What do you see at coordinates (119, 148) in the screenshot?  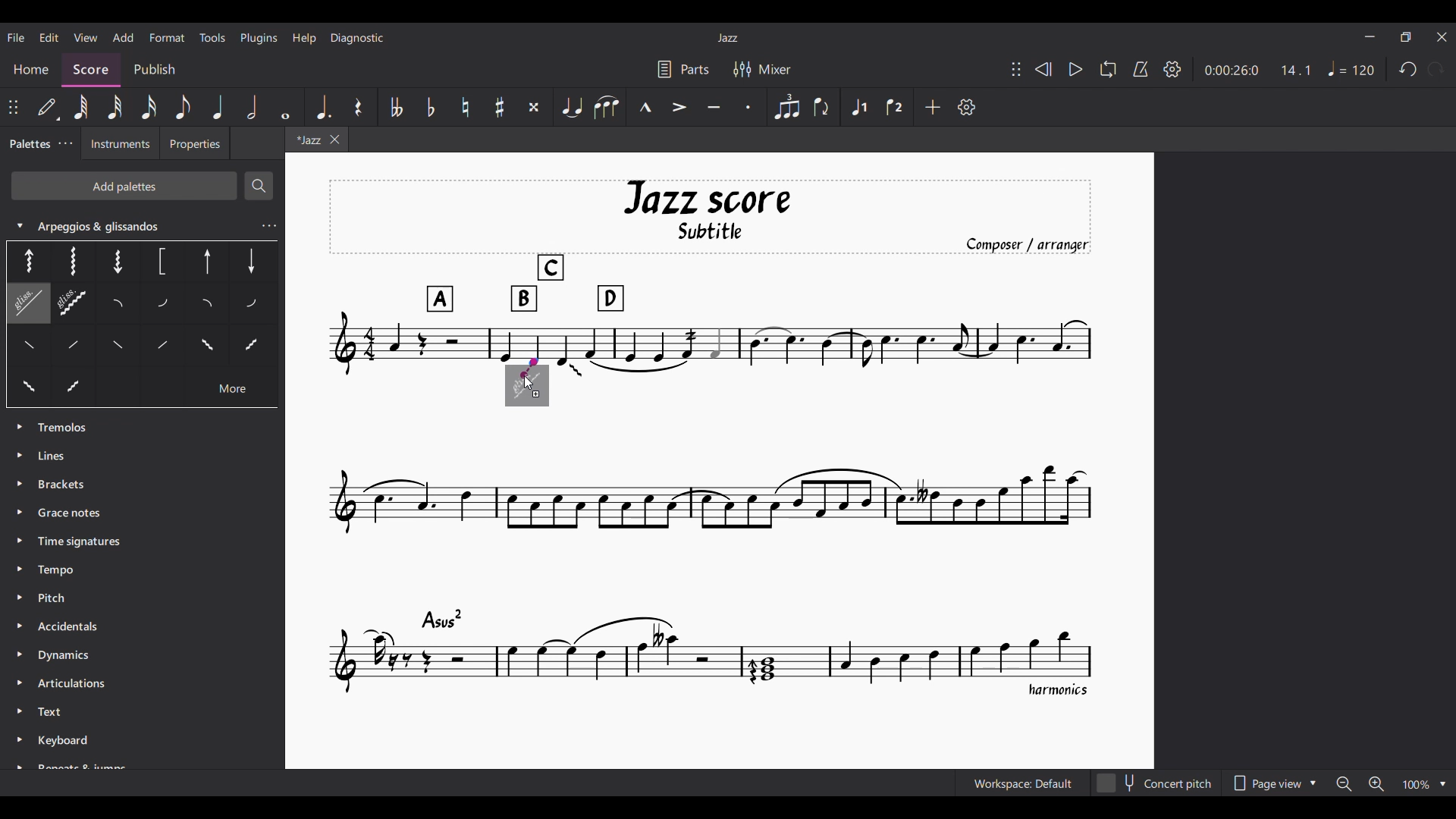 I see `Instruments` at bounding box center [119, 148].